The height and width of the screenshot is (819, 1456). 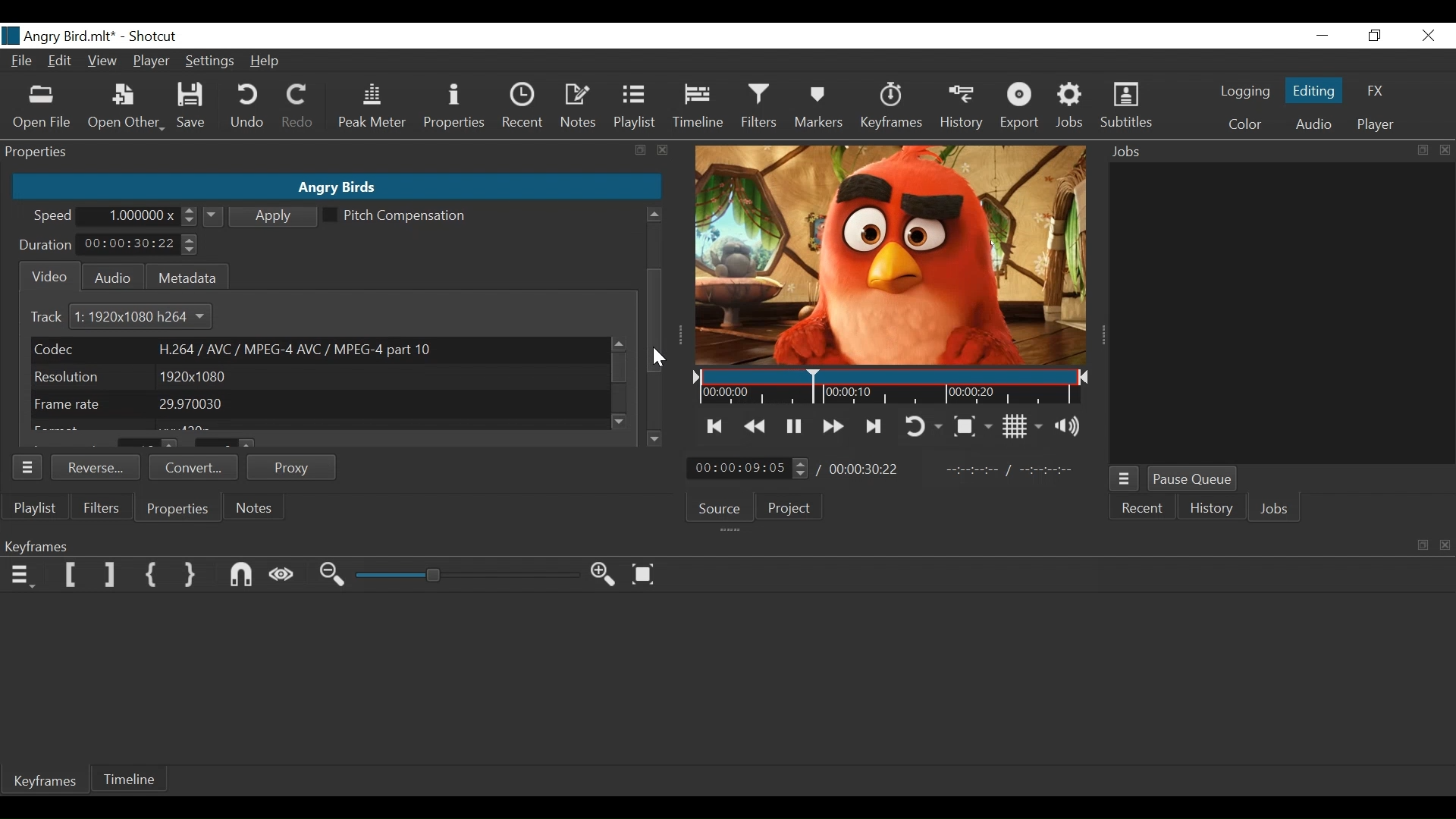 I want to click on Scroll down, so click(x=622, y=421).